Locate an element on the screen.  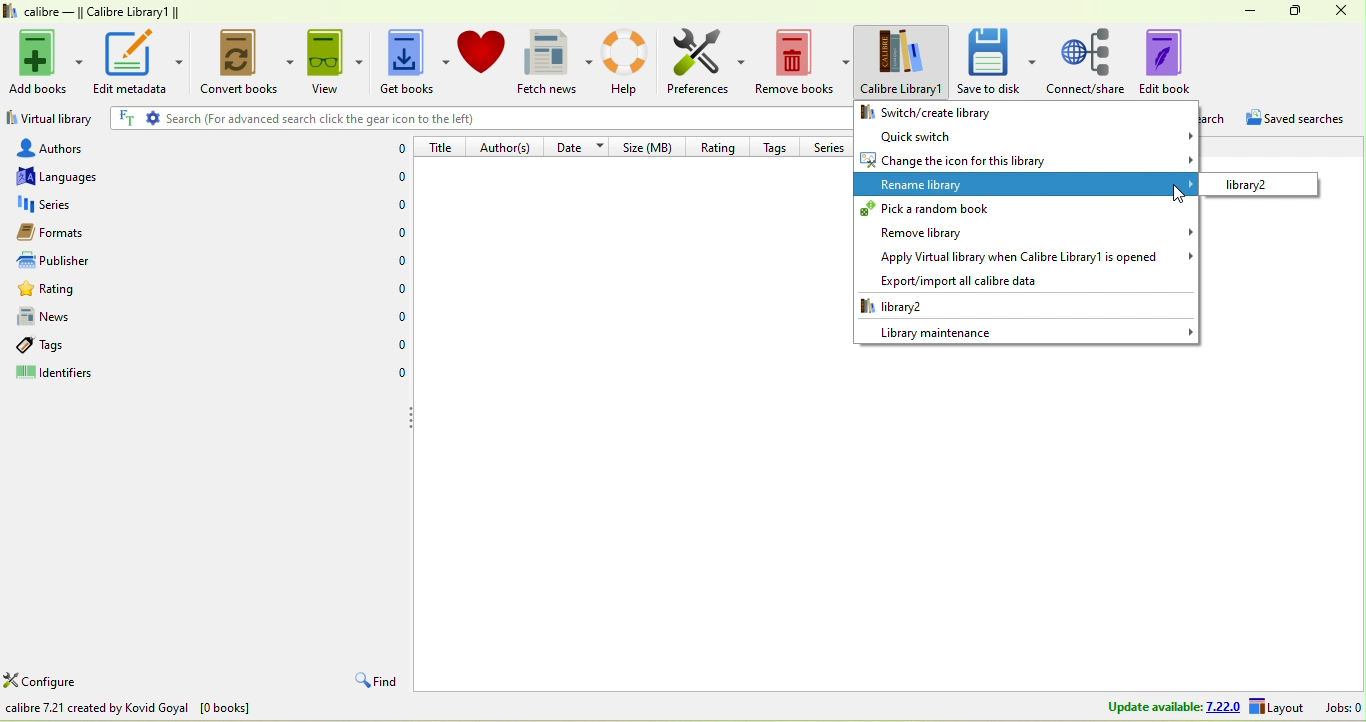
add books is located at coordinates (47, 59).